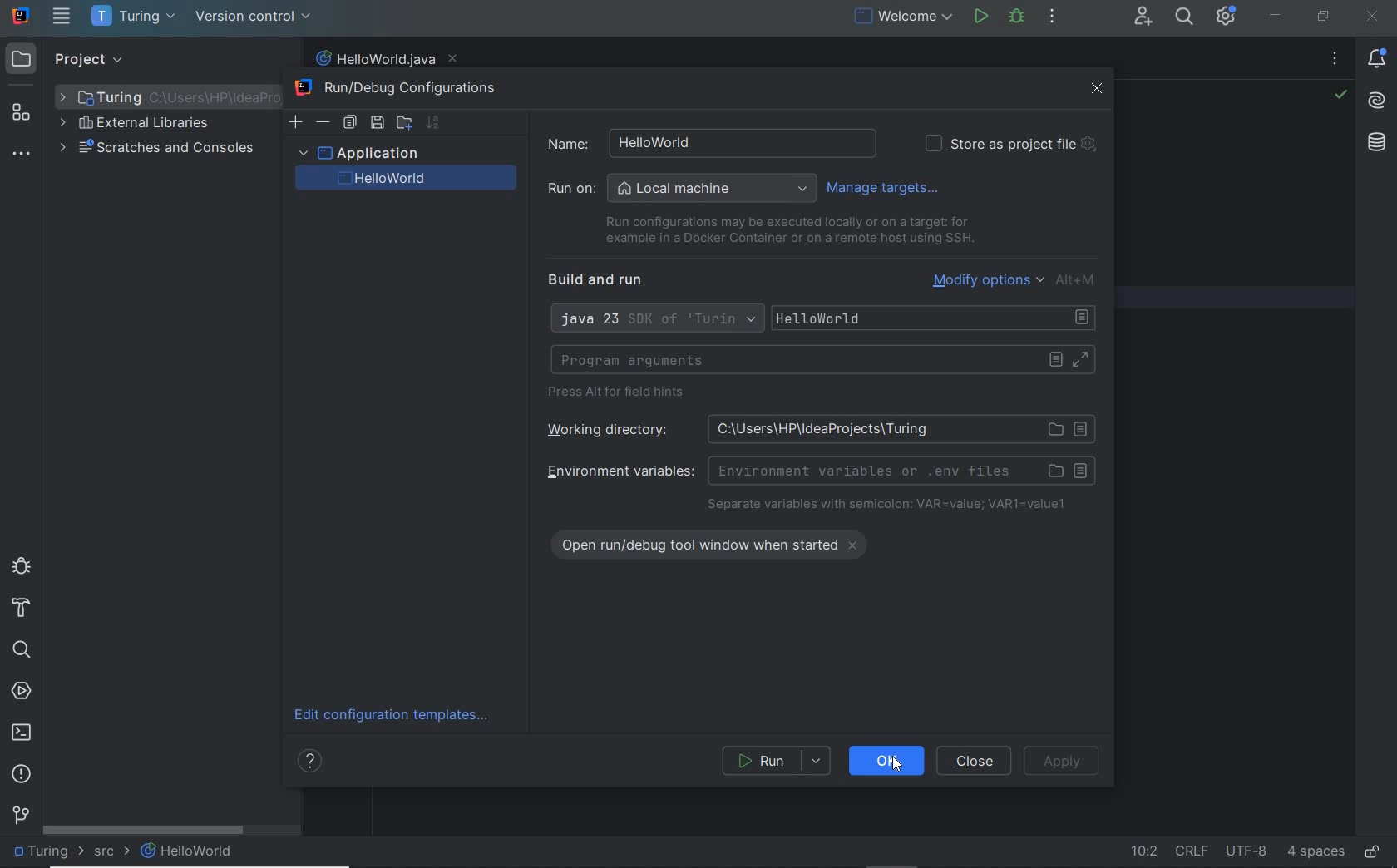 Image resolution: width=1397 pixels, height=868 pixels. Describe the element at coordinates (157, 150) in the screenshot. I see `scratches and consoles` at that location.